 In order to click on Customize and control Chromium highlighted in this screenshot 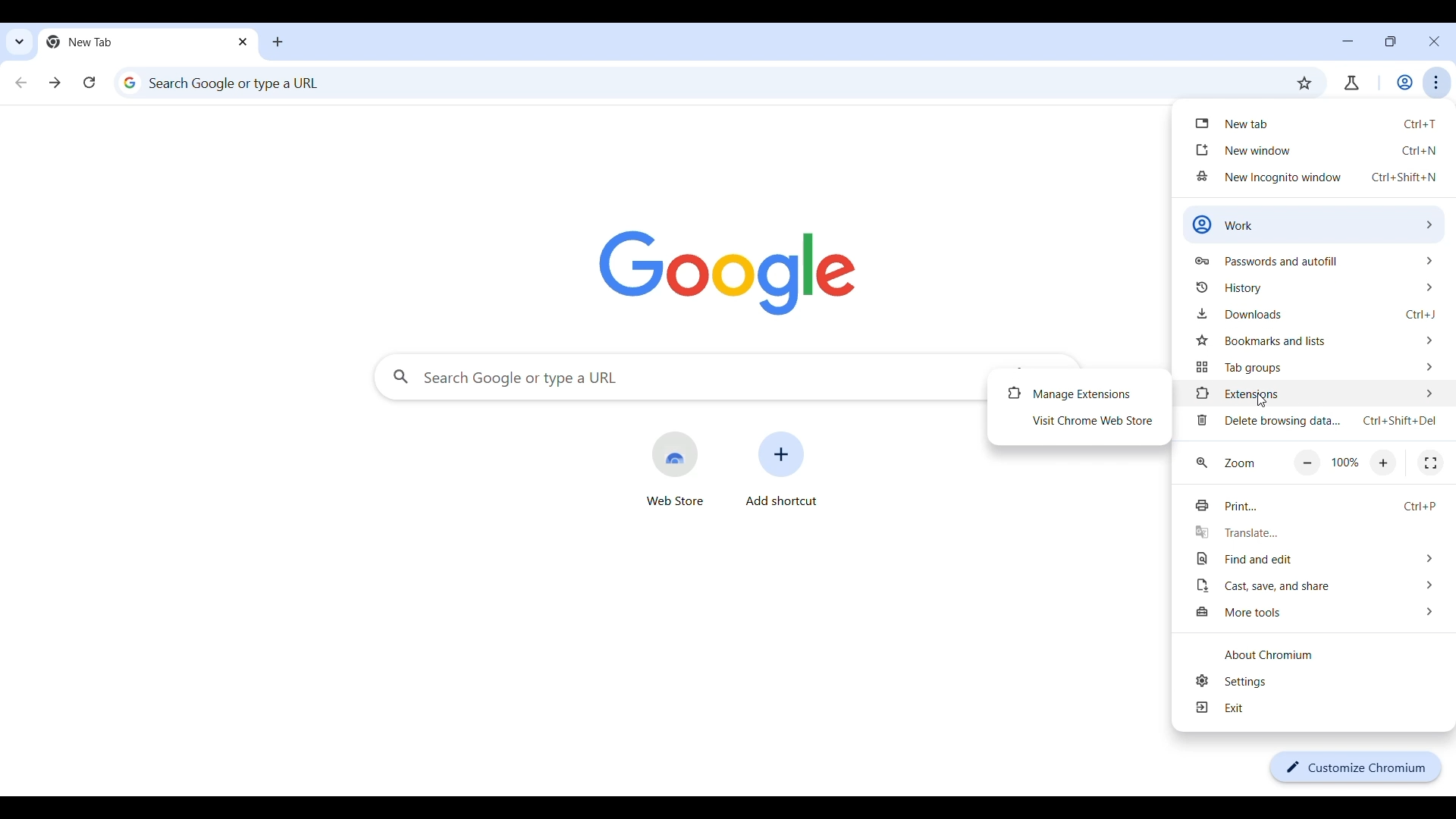, I will do `click(1437, 83)`.